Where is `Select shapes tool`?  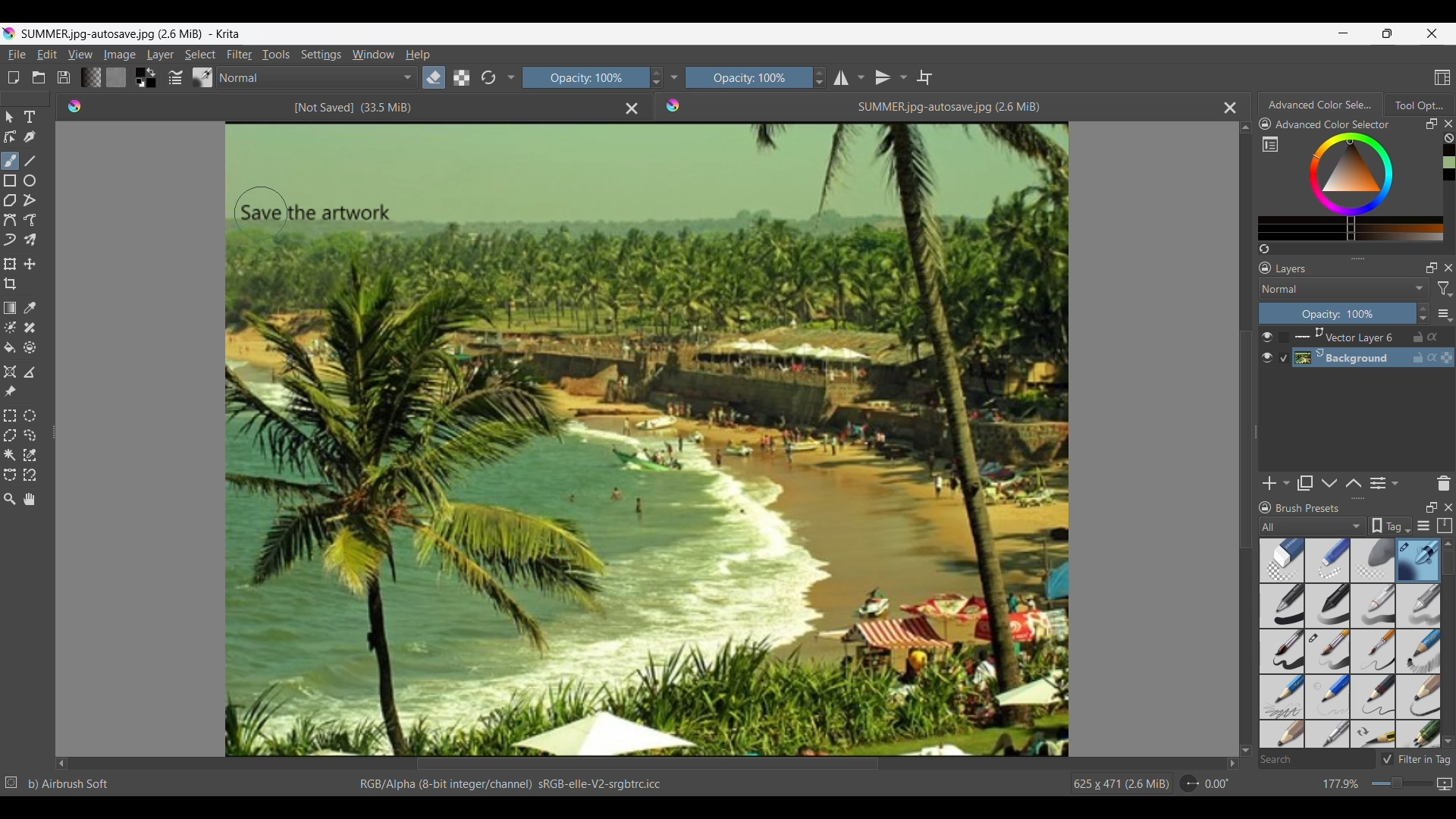
Select shapes tool is located at coordinates (9, 118).